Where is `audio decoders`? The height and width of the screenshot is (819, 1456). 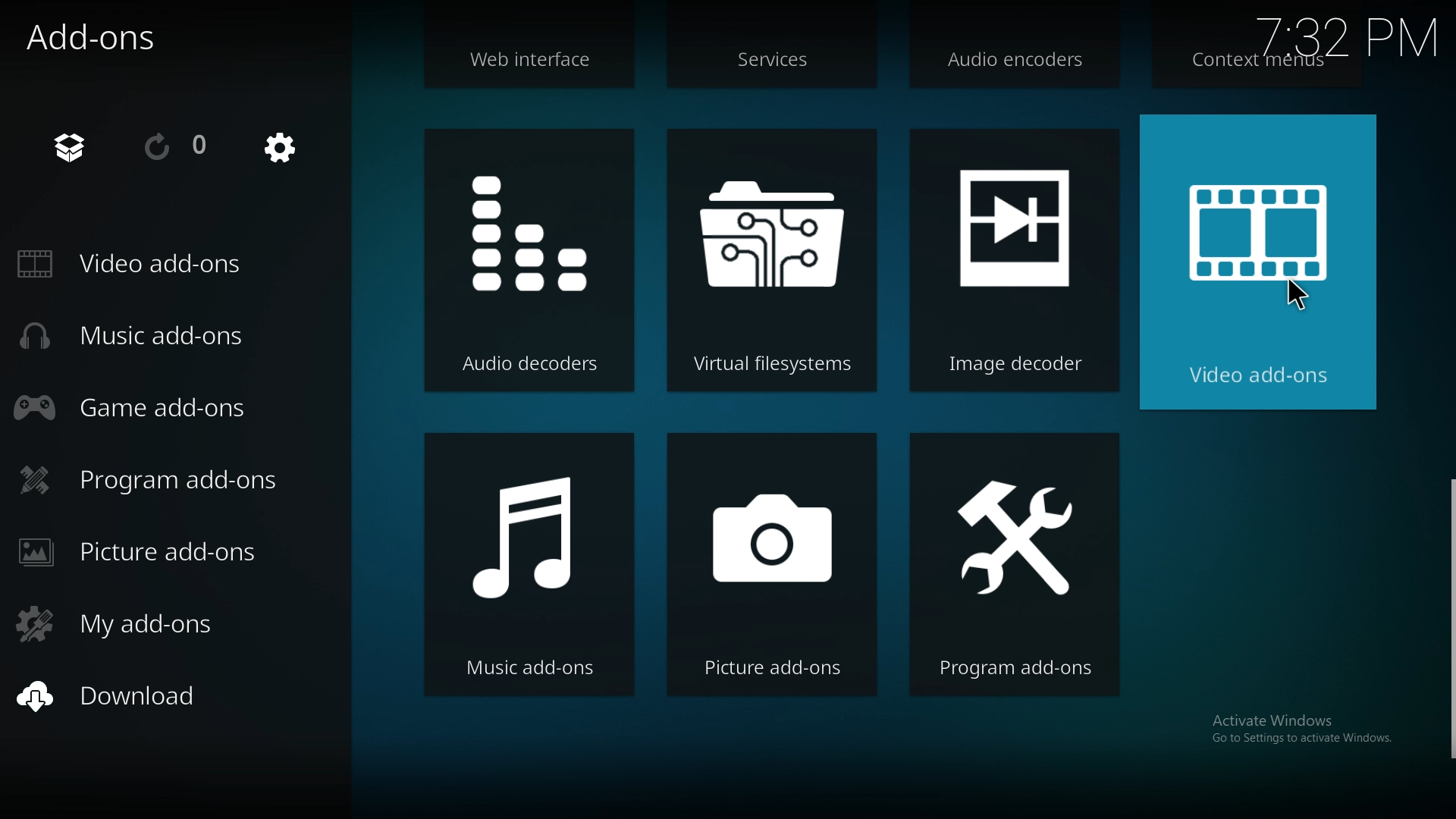
audio decoders is located at coordinates (530, 259).